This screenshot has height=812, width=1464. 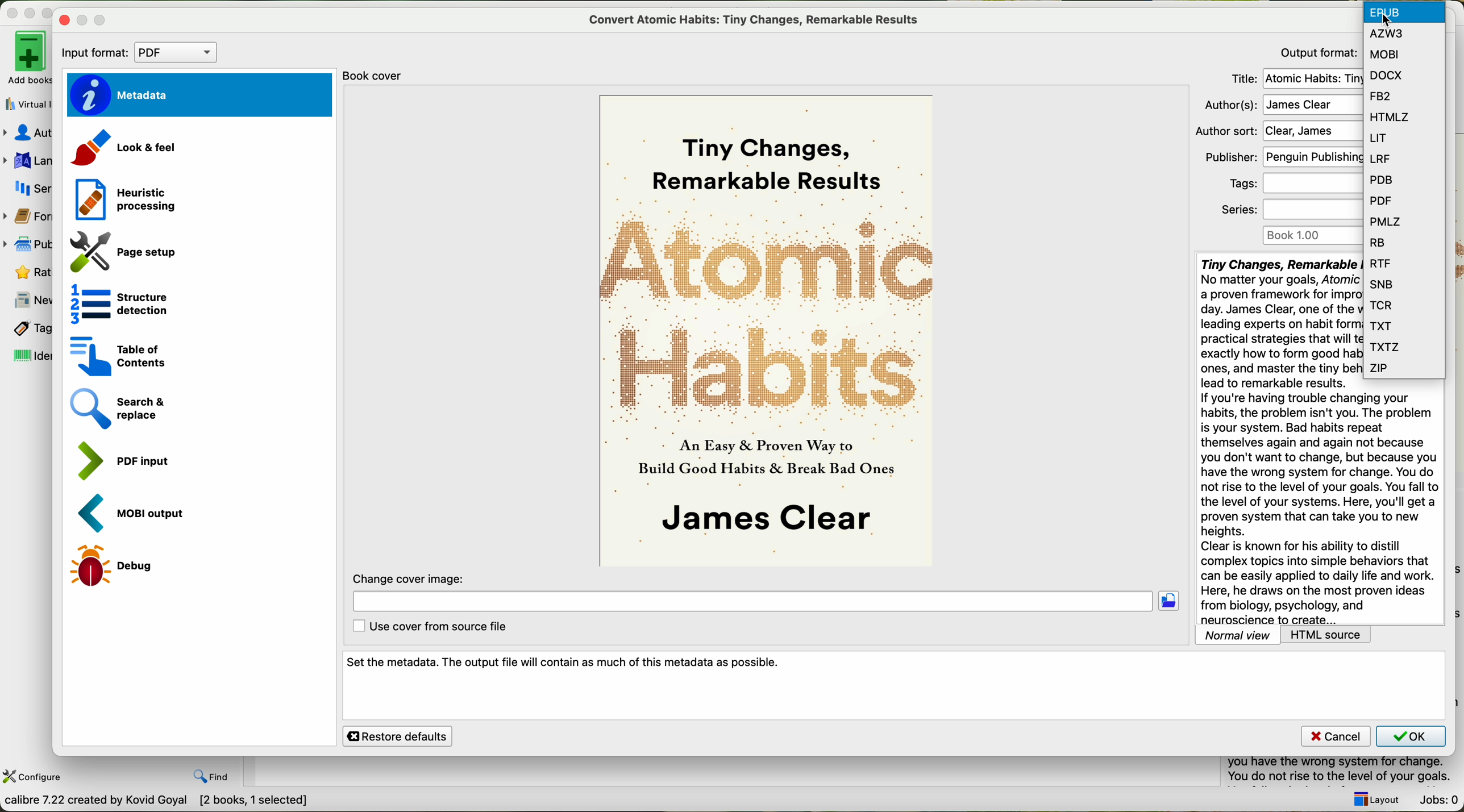 What do you see at coordinates (1406, 344) in the screenshot?
I see `TXTZ` at bounding box center [1406, 344].